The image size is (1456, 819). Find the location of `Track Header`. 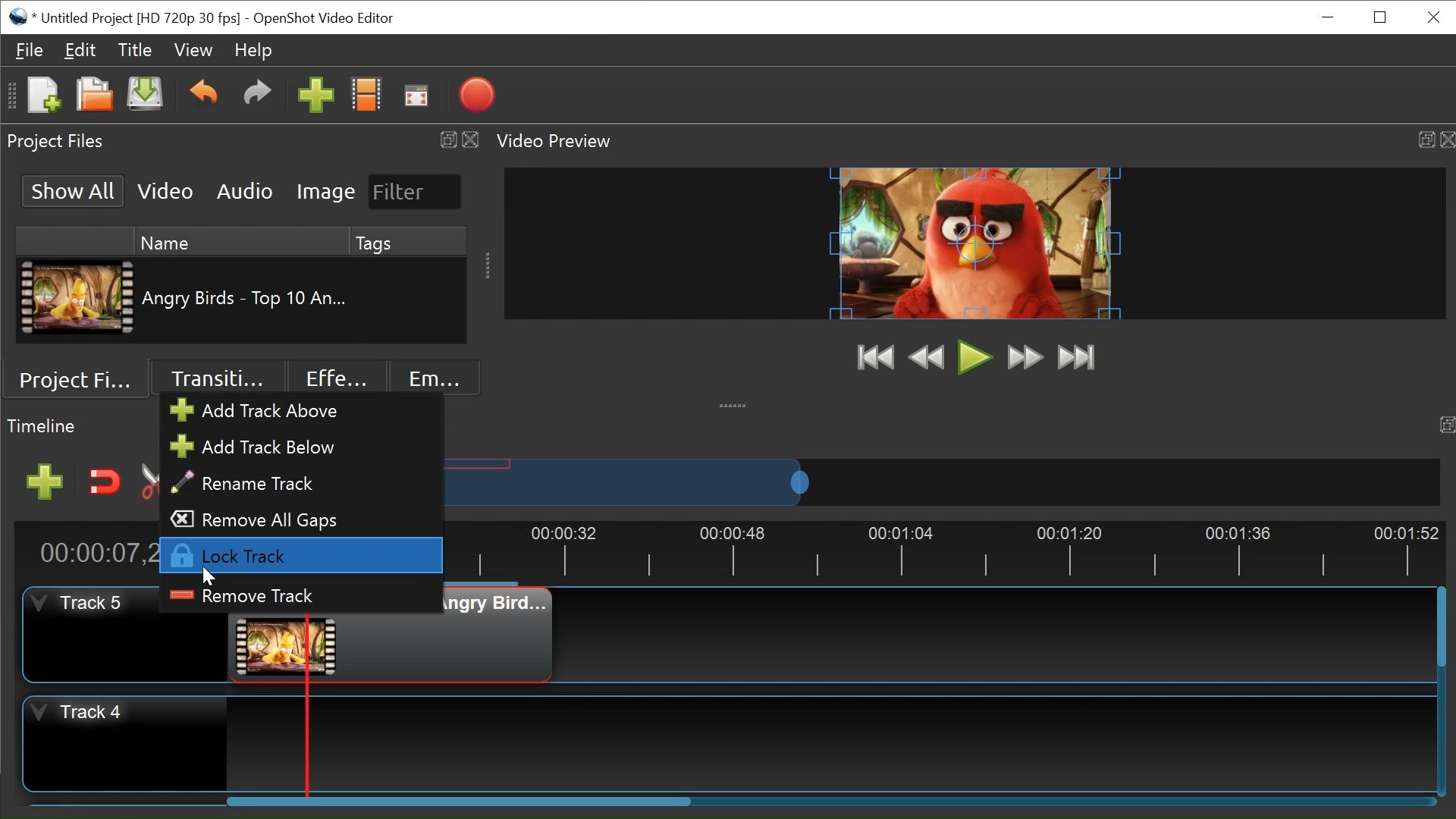

Track Header is located at coordinates (89, 631).